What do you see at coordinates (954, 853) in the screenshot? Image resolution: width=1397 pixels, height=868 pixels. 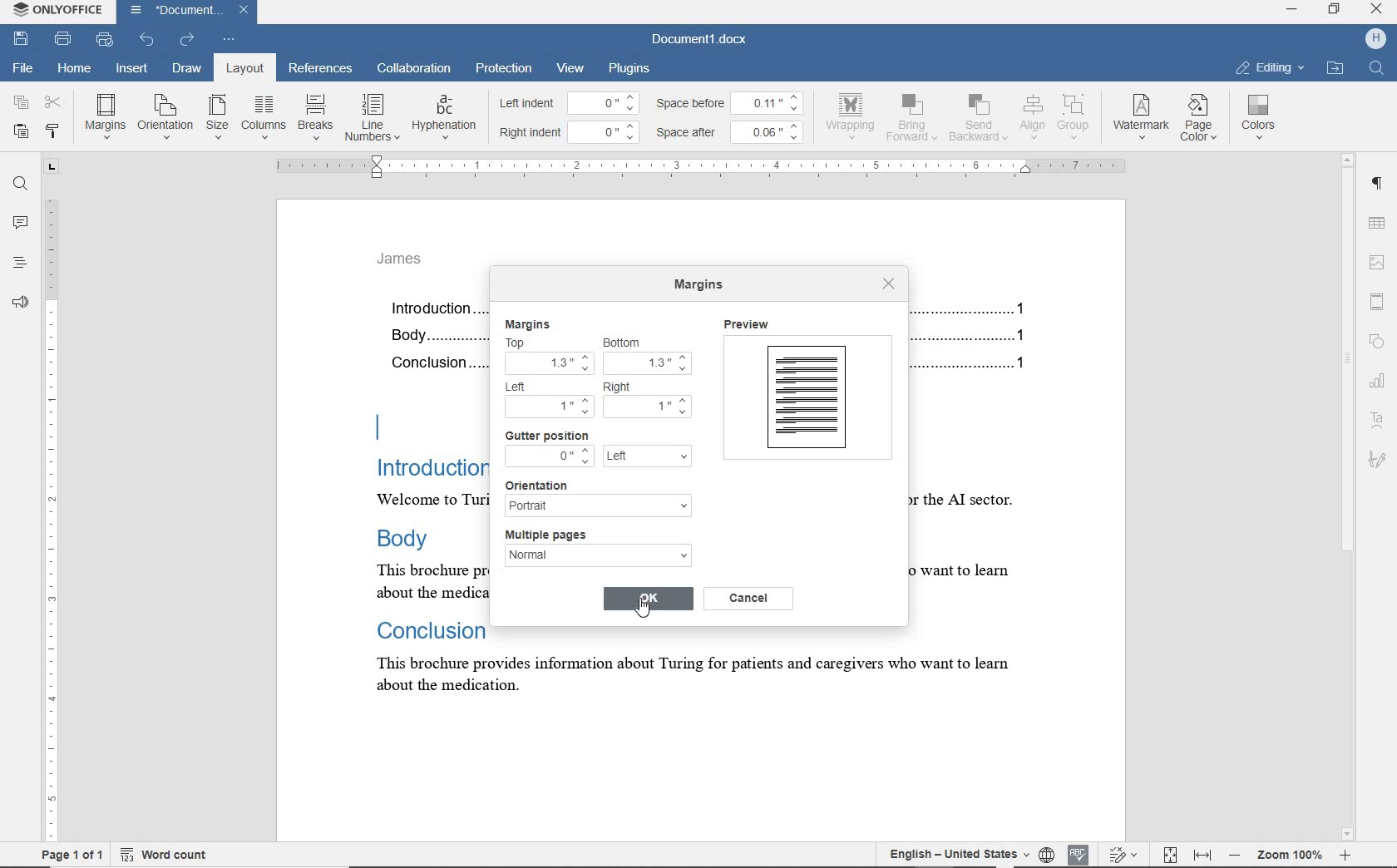 I see `text language` at bounding box center [954, 853].